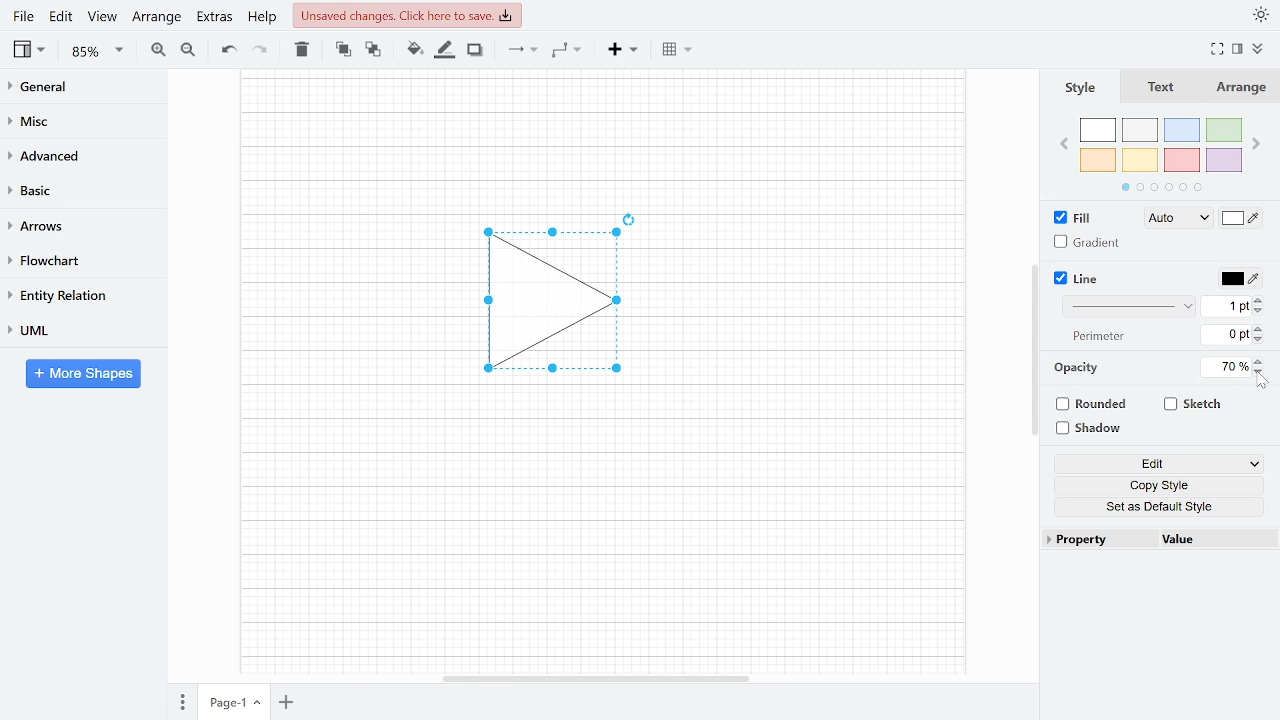  What do you see at coordinates (1213, 541) in the screenshot?
I see `Value` at bounding box center [1213, 541].